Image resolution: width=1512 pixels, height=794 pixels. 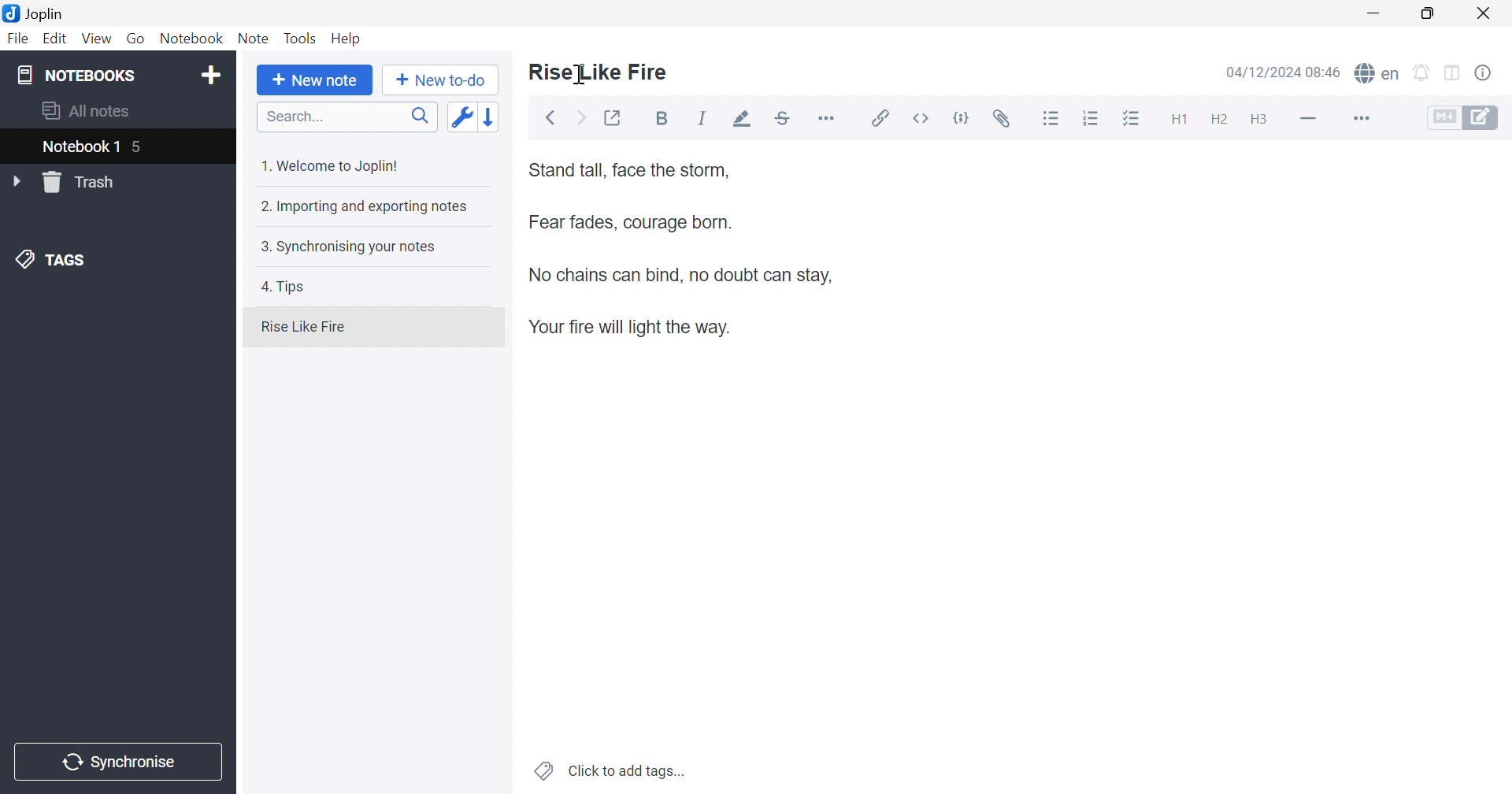 I want to click on Insert / edit link, so click(x=878, y=115).